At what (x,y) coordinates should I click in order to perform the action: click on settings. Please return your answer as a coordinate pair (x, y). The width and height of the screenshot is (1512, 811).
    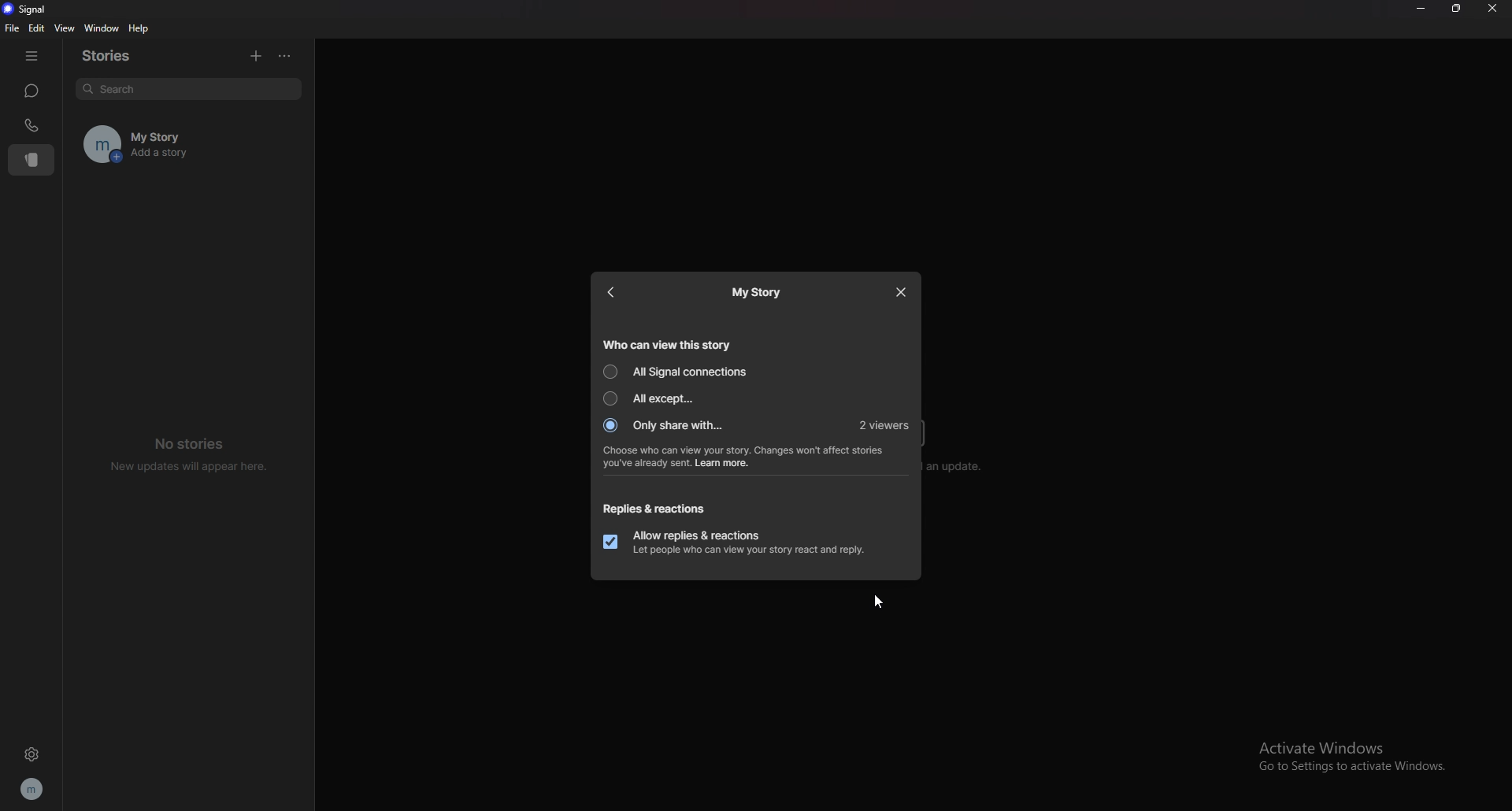
    Looking at the image, I should click on (31, 755).